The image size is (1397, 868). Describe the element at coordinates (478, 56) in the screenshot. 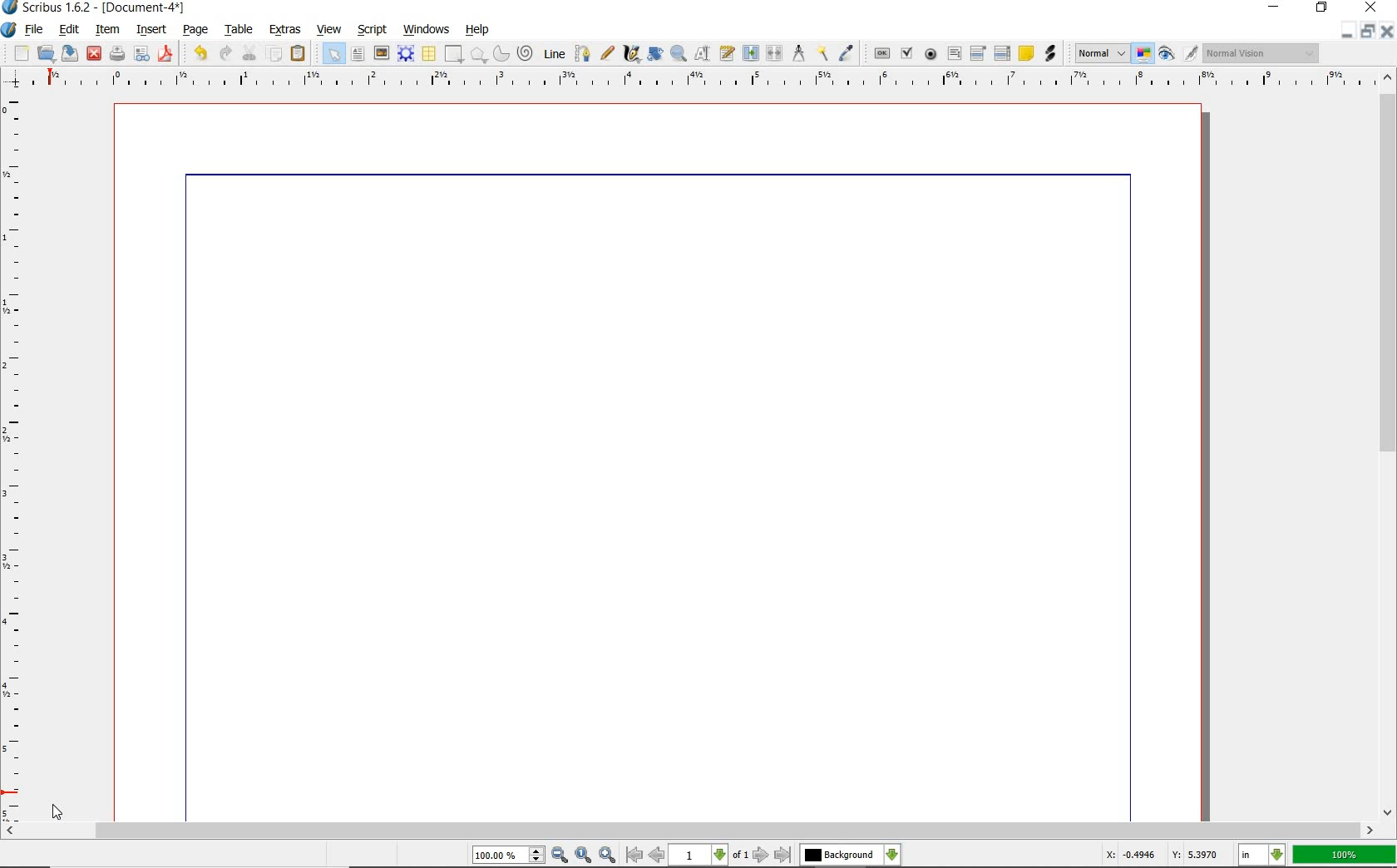

I see `polygon` at that location.